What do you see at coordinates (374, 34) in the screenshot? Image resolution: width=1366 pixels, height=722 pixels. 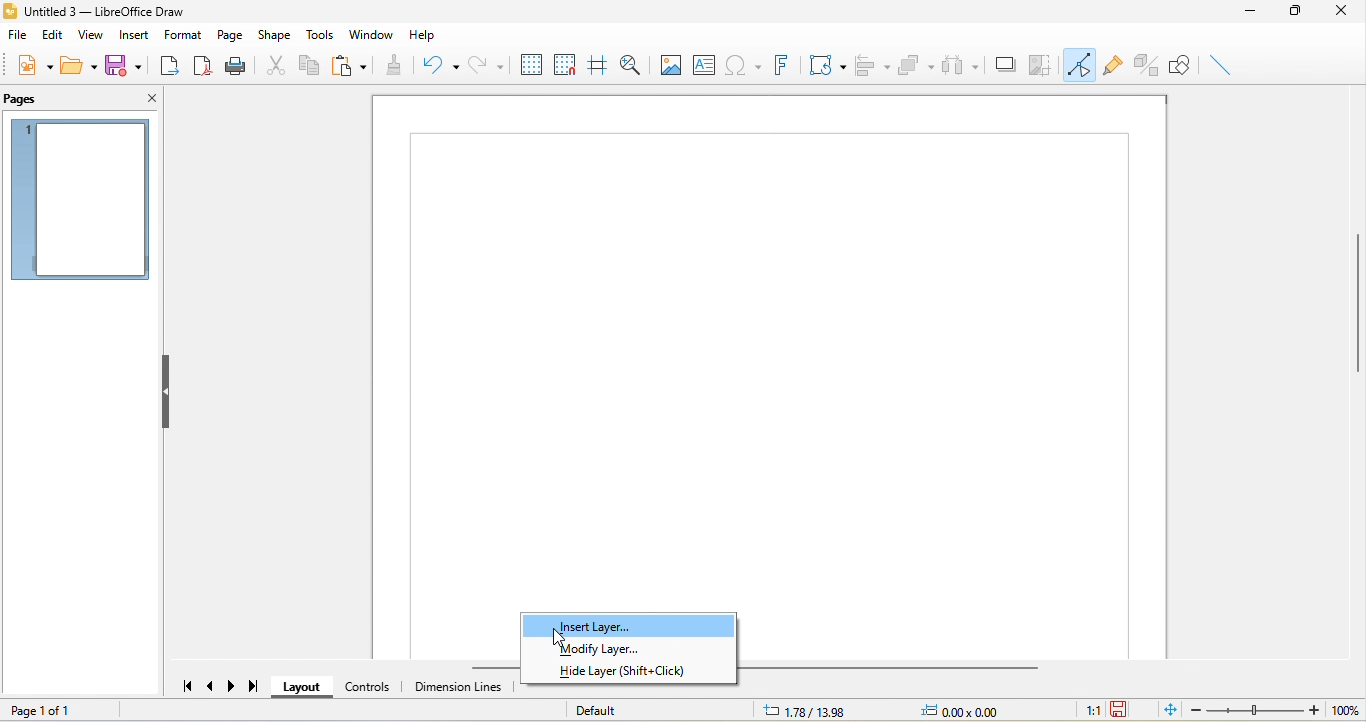 I see `window` at bounding box center [374, 34].